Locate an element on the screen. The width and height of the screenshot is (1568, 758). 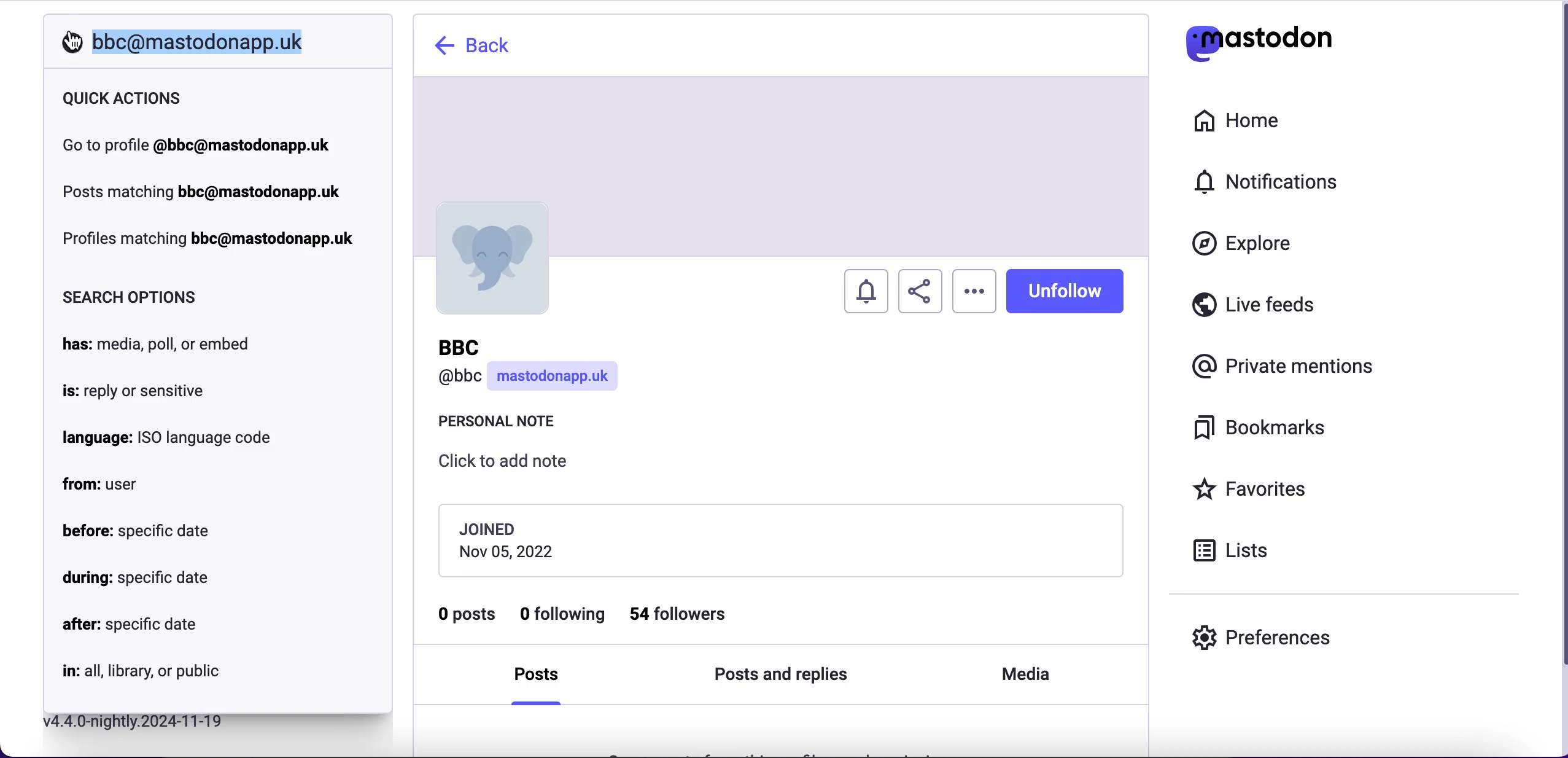
search options is located at coordinates (133, 297).